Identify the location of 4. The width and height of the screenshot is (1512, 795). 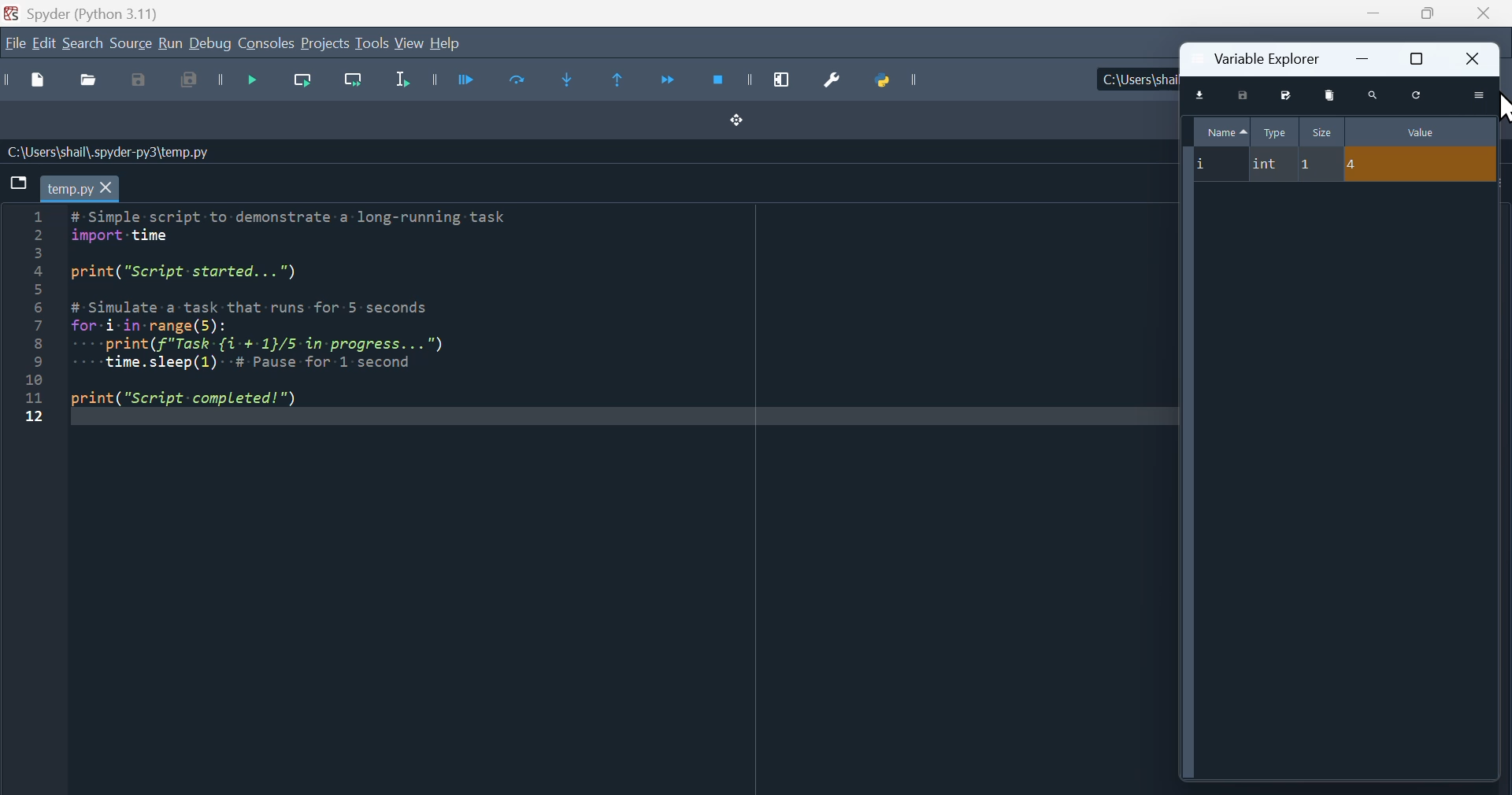
(1421, 165).